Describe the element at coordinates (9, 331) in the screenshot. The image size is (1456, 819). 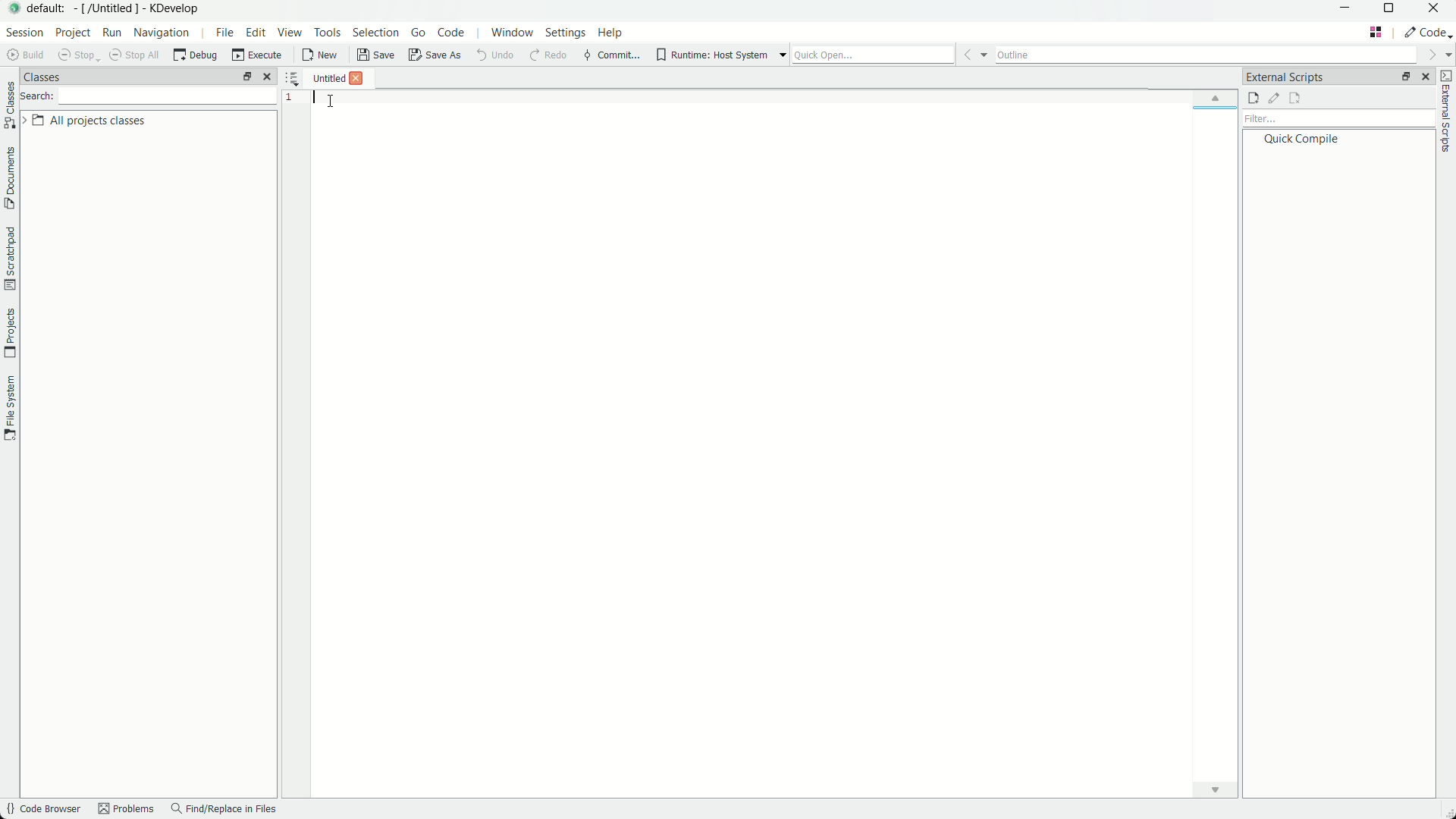
I see `projects` at that location.